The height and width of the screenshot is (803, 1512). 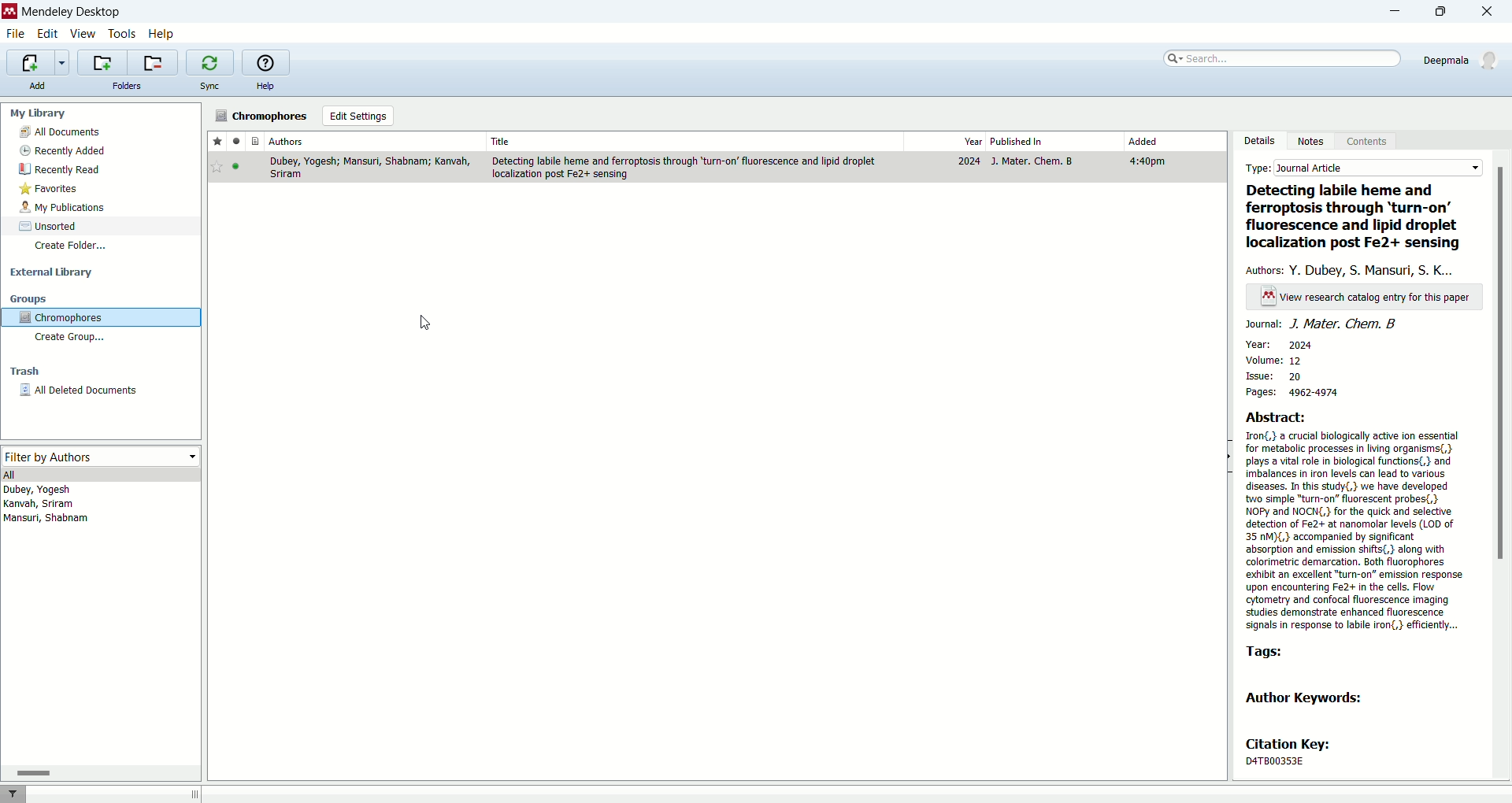 What do you see at coordinates (1262, 140) in the screenshot?
I see `details` at bounding box center [1262, 140].